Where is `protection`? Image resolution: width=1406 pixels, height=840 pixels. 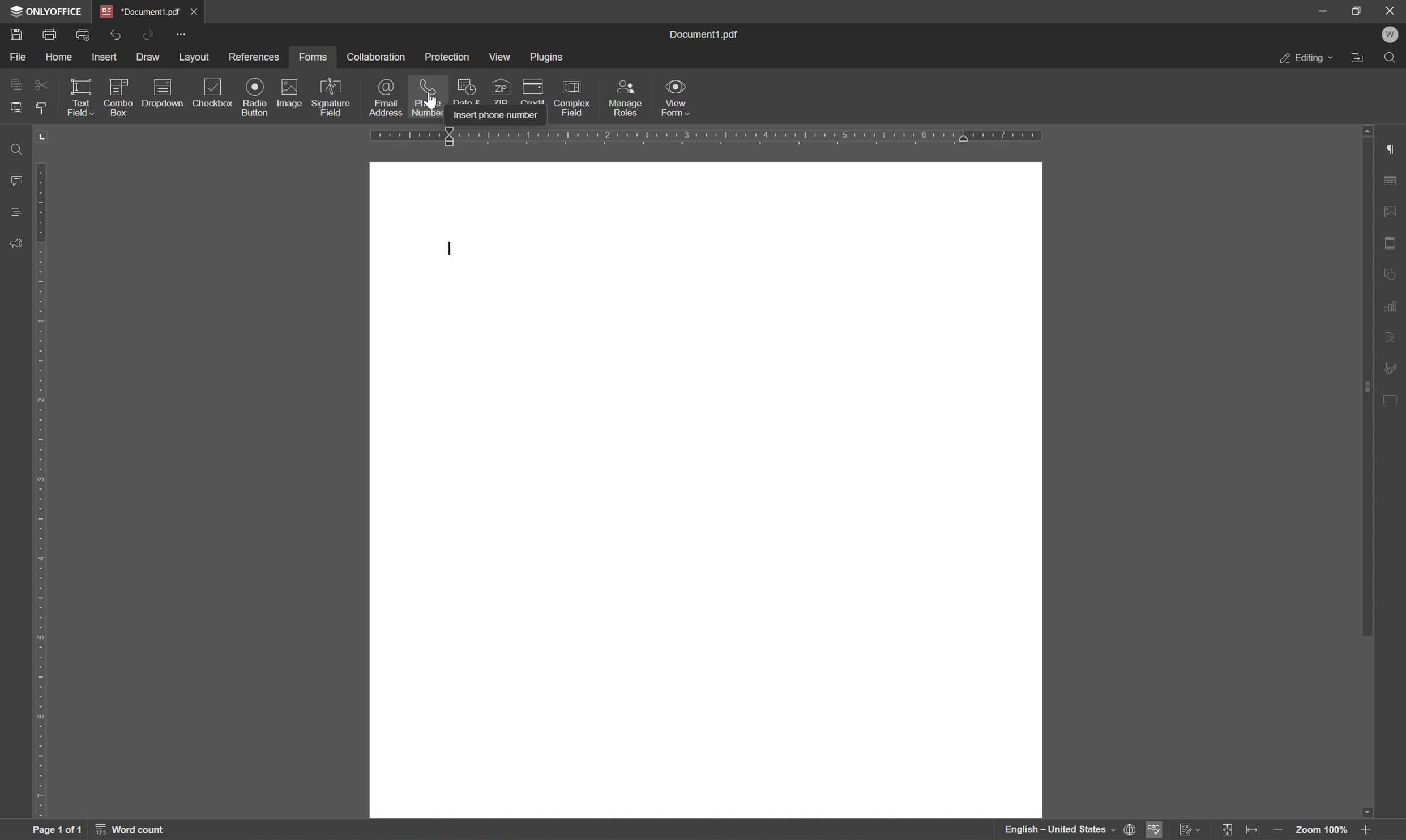
protection is located at coordinates (450, 59).